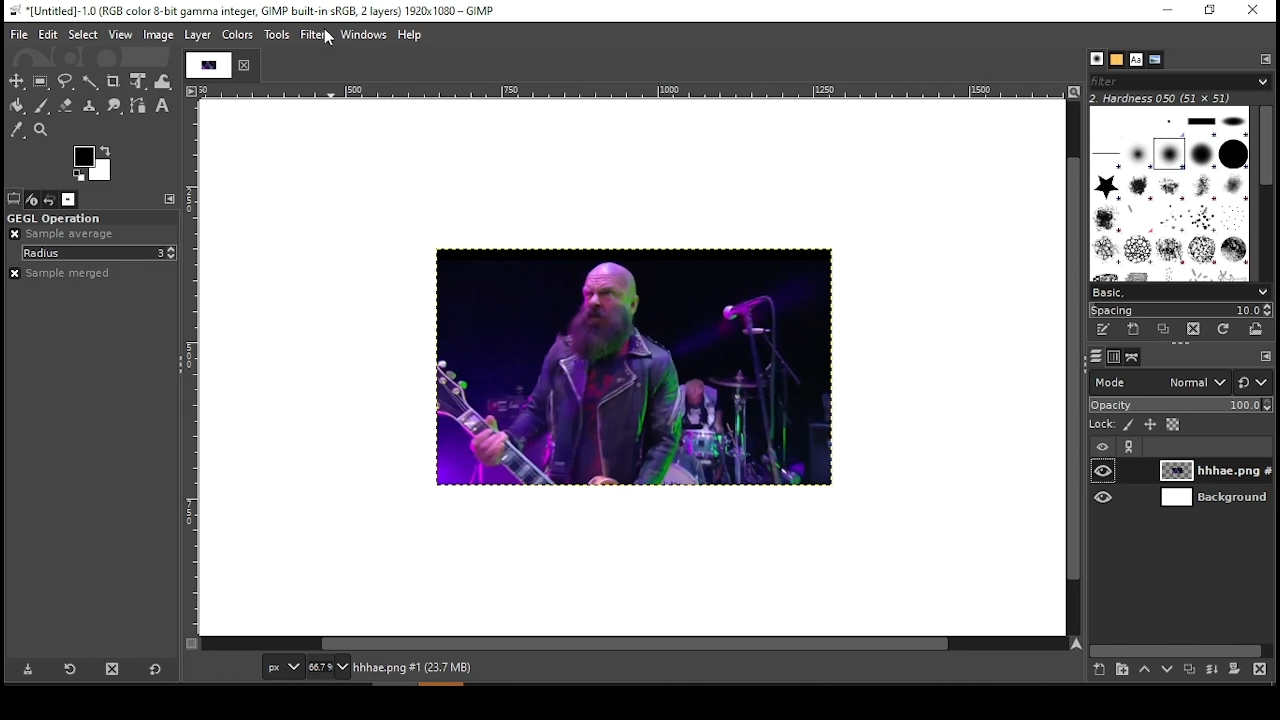 This screenshot has height=720, width=1280. I want to click on view, so click(120, 35).